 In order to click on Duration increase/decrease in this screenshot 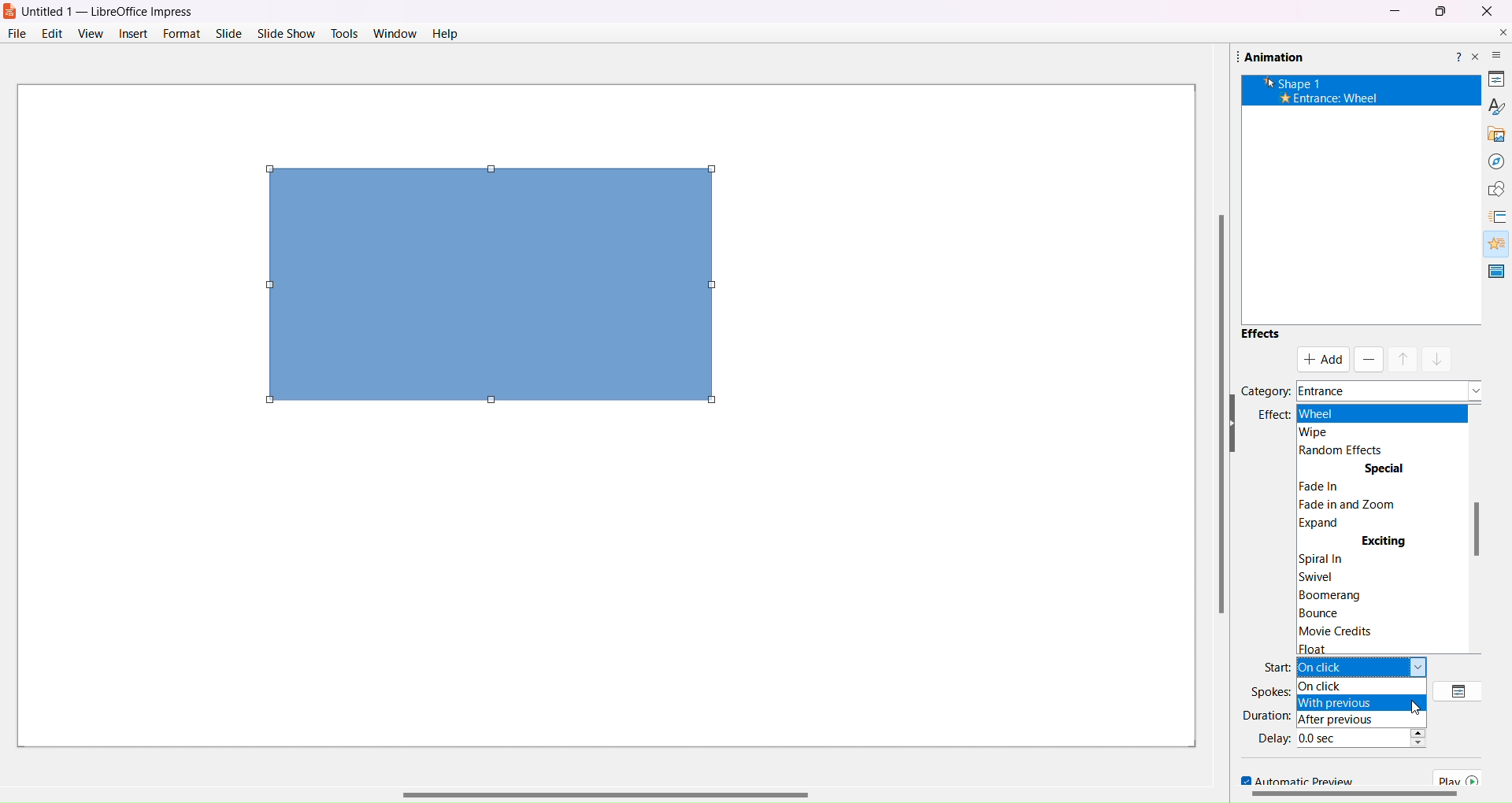, I will do `click(1422, 714)`.